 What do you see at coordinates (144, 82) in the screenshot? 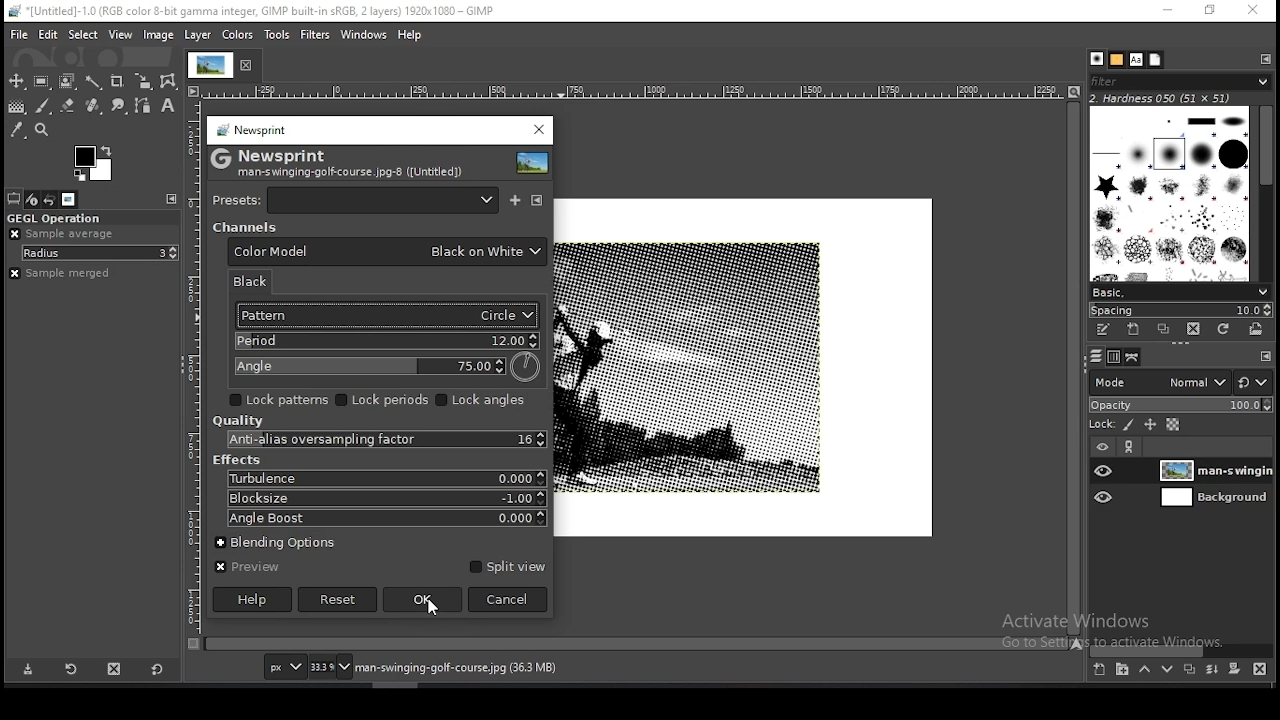
I see `scale tool` at bounding box center [144, 82].